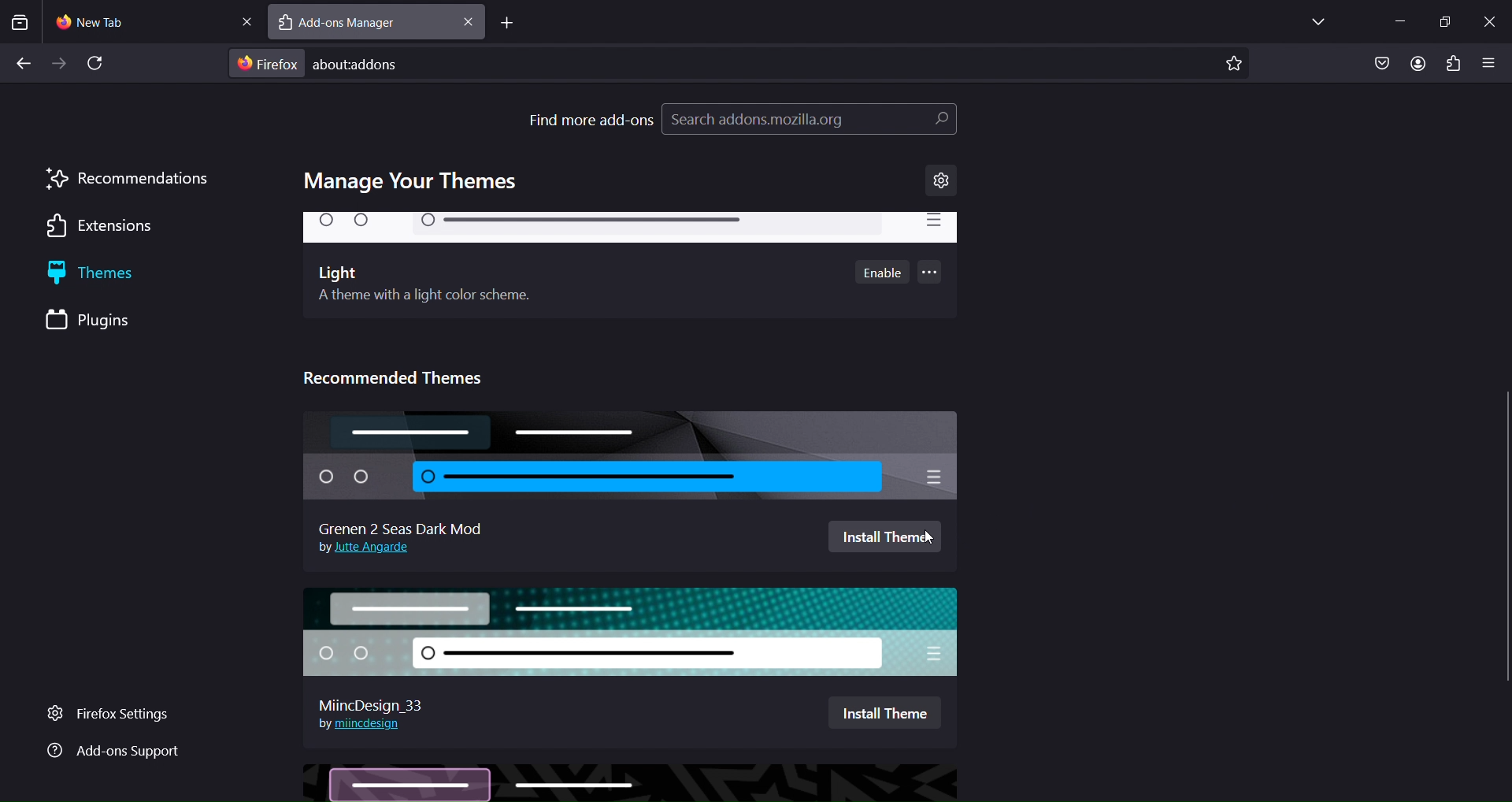  What do you see at coordinates (884, 710) in the screenshot?
I see `install theme` at bounding box center [884, 710].